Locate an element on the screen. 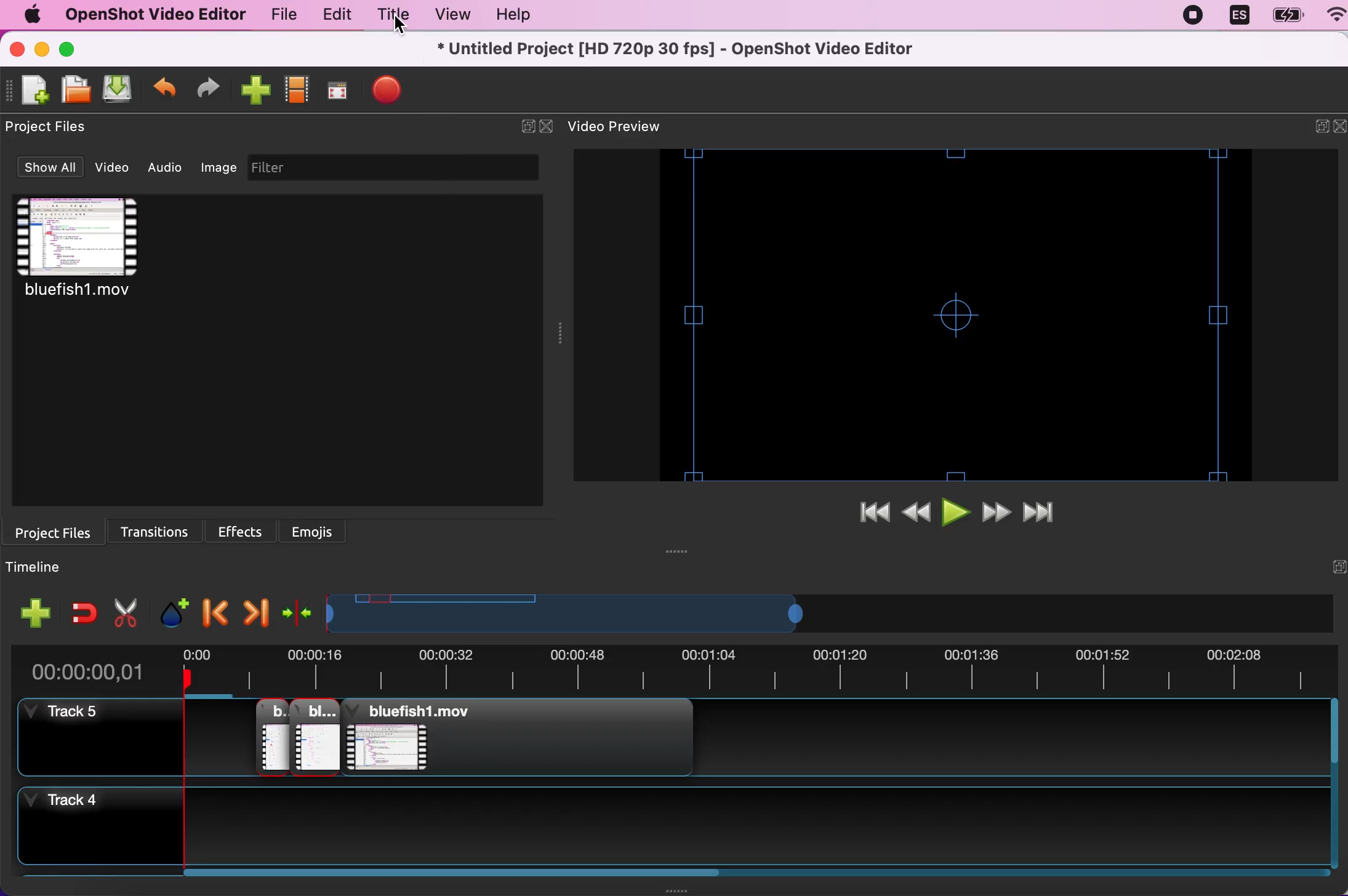 This screenshot has width=1348, height=896. hide/expand is located at coordinates (1332, 567).